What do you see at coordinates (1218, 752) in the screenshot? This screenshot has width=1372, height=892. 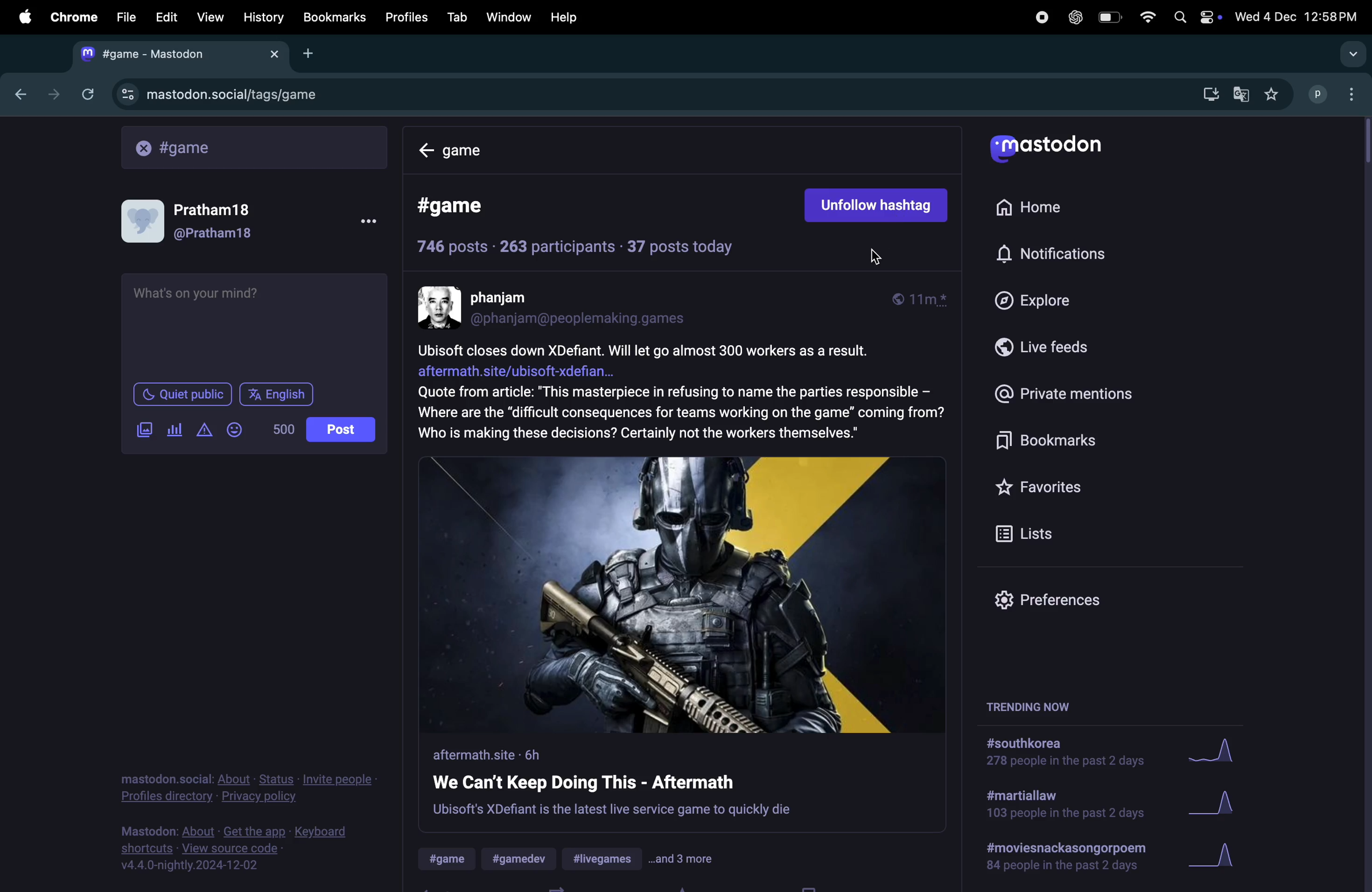 I see `graph` at bounding box center [1218, 752].